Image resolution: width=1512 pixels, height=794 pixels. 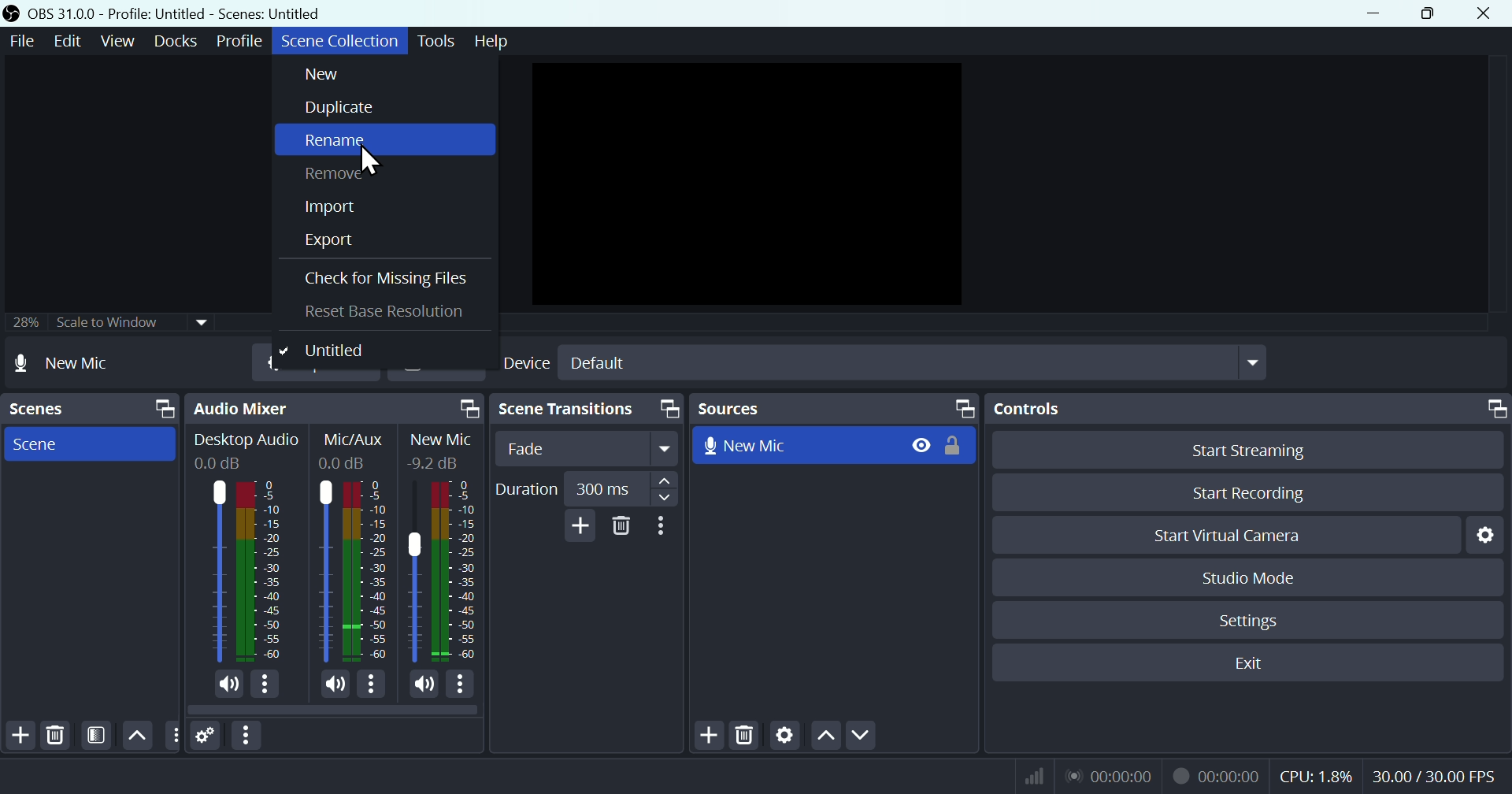 I want to click on Maximise, so click(x=1432, y=16).